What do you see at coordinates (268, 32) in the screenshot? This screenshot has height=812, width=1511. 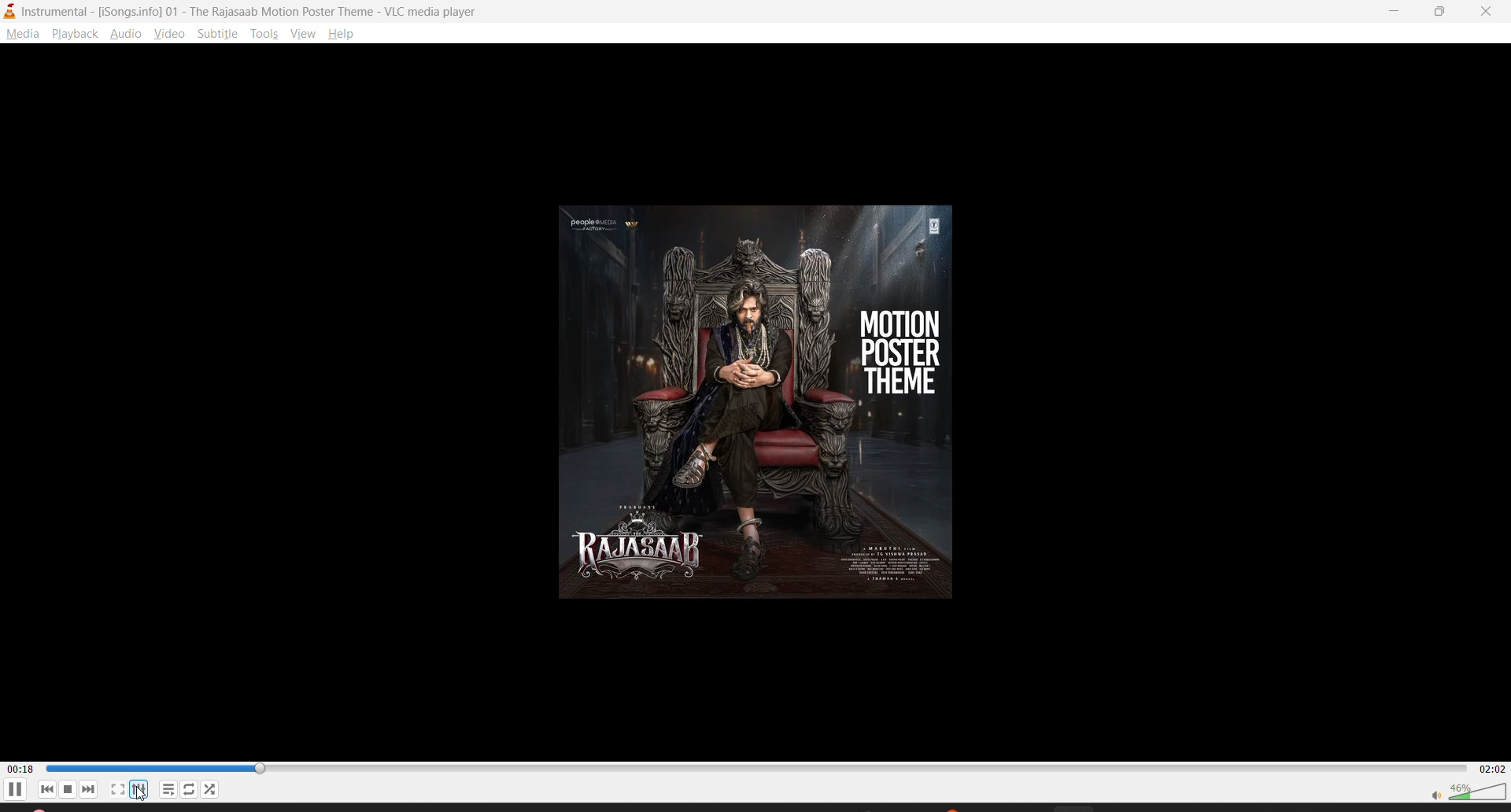 I see `tools` at bounding box center [268, 32].